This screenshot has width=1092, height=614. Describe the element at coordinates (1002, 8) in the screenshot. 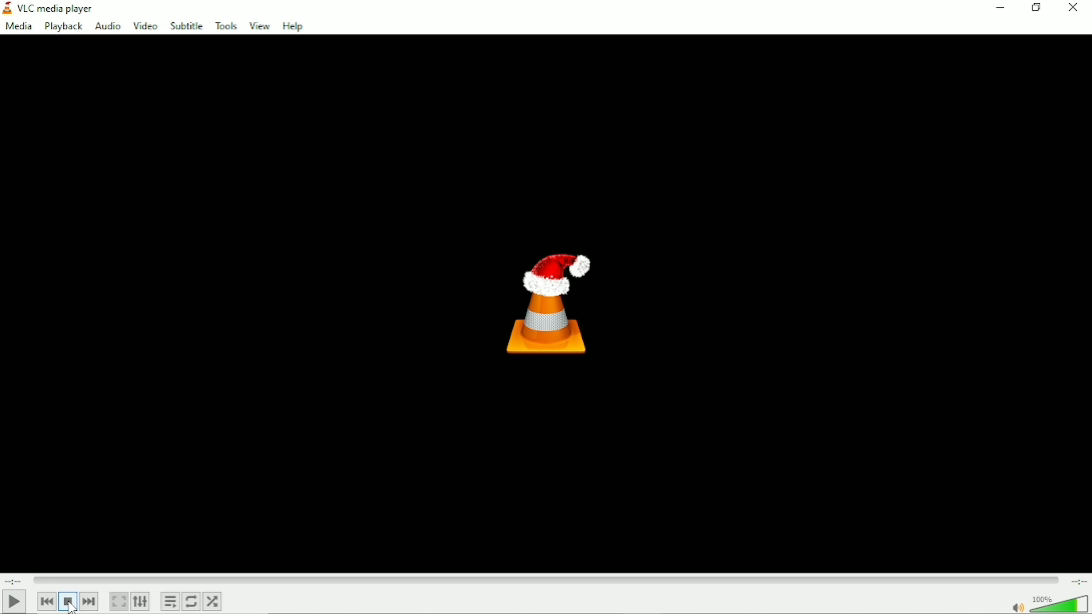

I see `Minimize` at that location.